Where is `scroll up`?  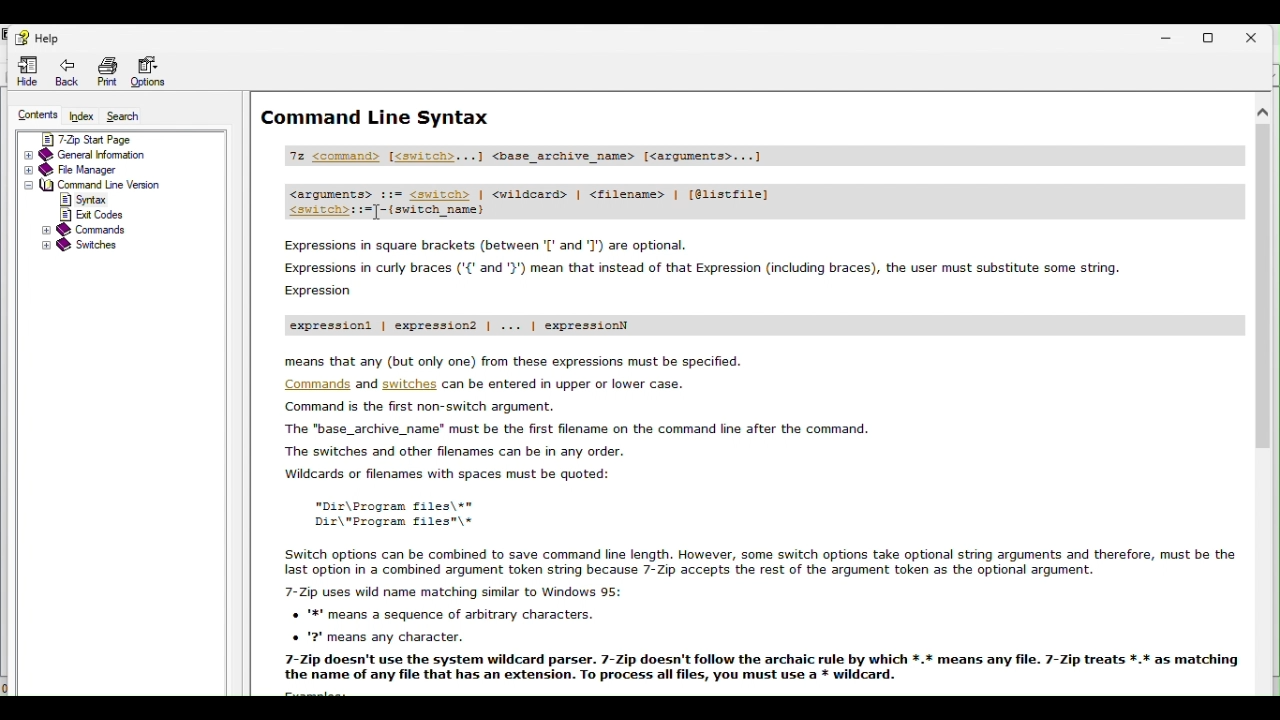
scroll up is located at coordinates (1255, 111).